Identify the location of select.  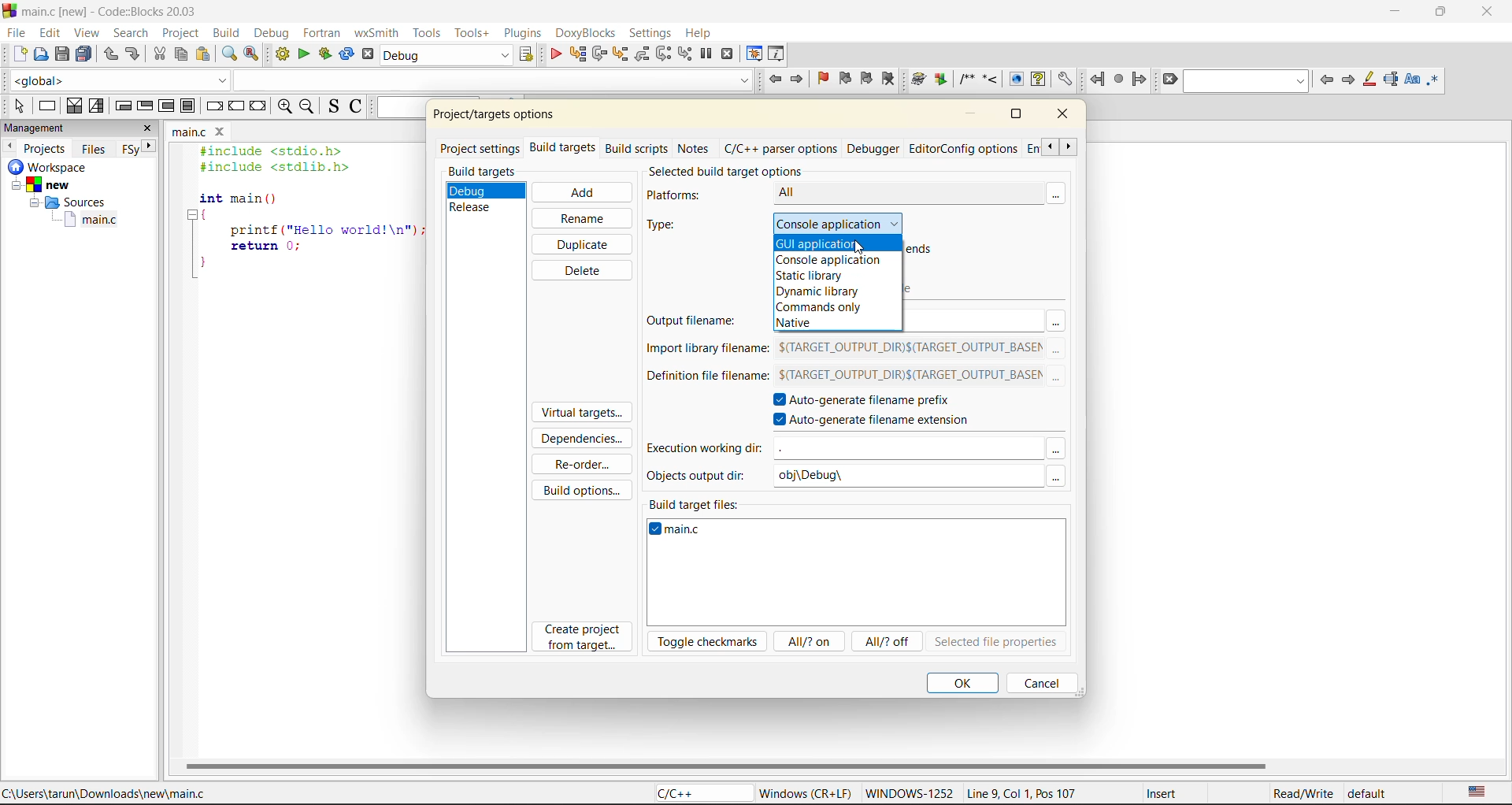
(18, 106).